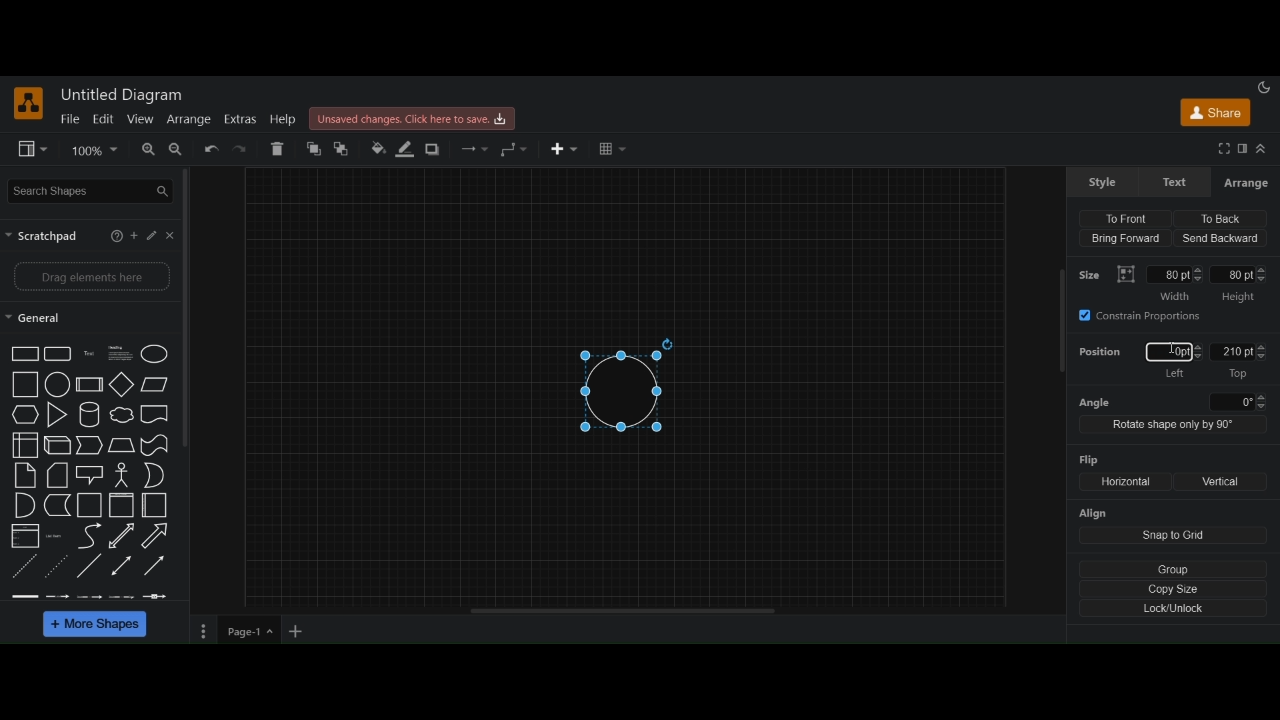  What do you see at coordinates (627, 387) in the screenshot?
I see `circle shape` at bounding box center [627, 387].